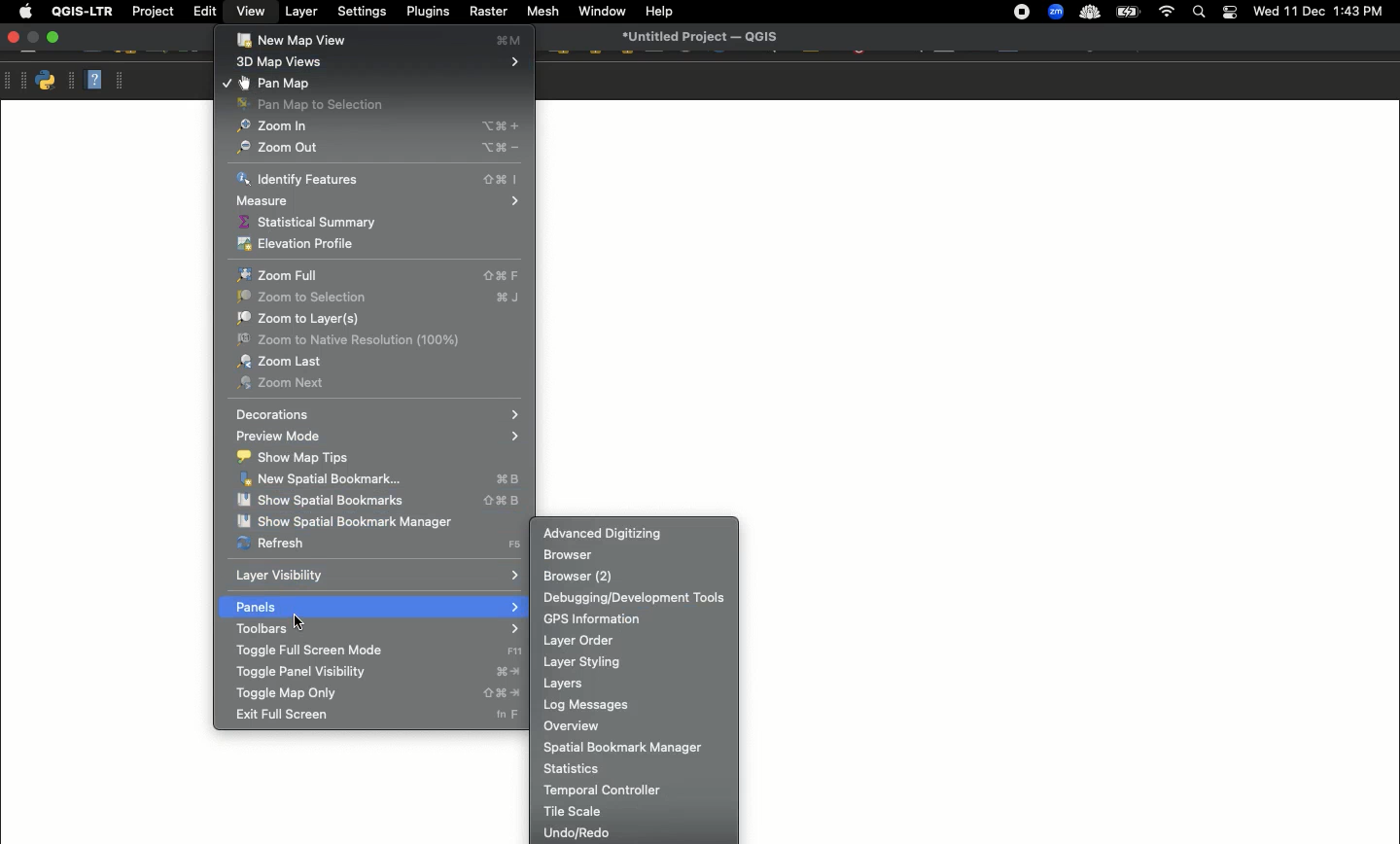  I want to click on Plugins, so click(426, 10).